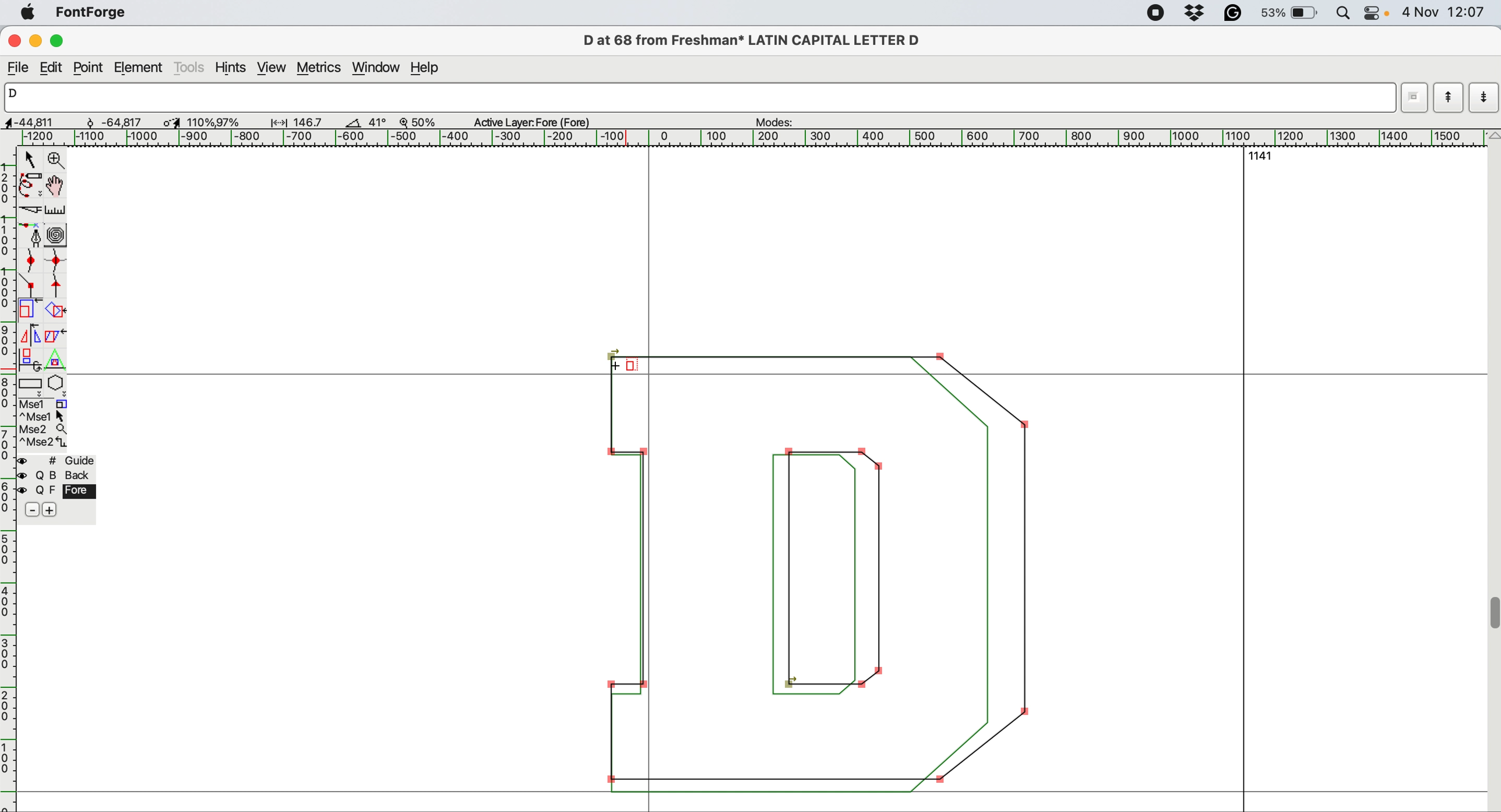  What do you see at coordinates (1411, 101) in the screenshot?
I see `current word list` at bounding box center [1411, 101].